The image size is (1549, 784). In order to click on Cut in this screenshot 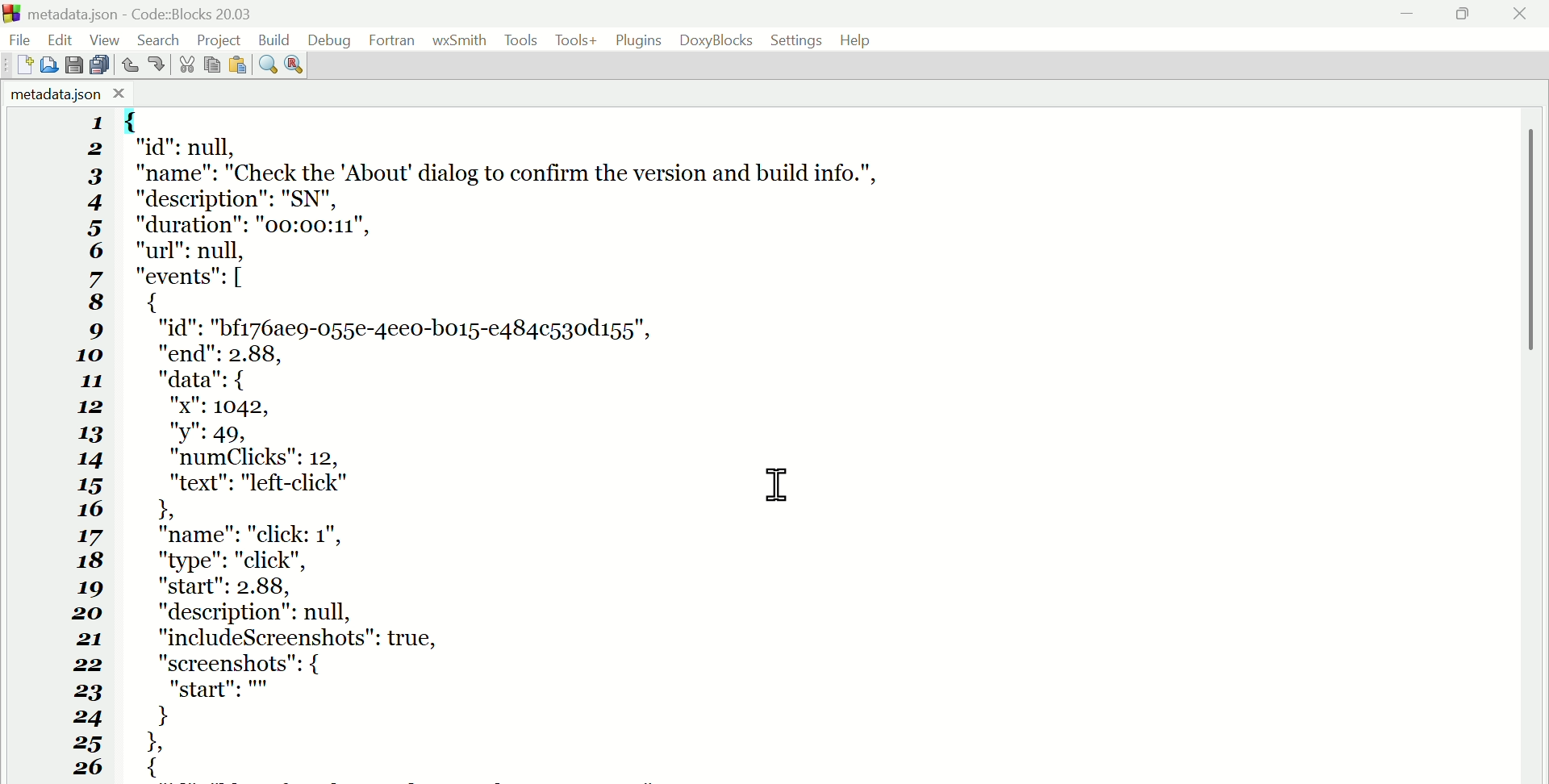, I will do `click(182, 65)`.